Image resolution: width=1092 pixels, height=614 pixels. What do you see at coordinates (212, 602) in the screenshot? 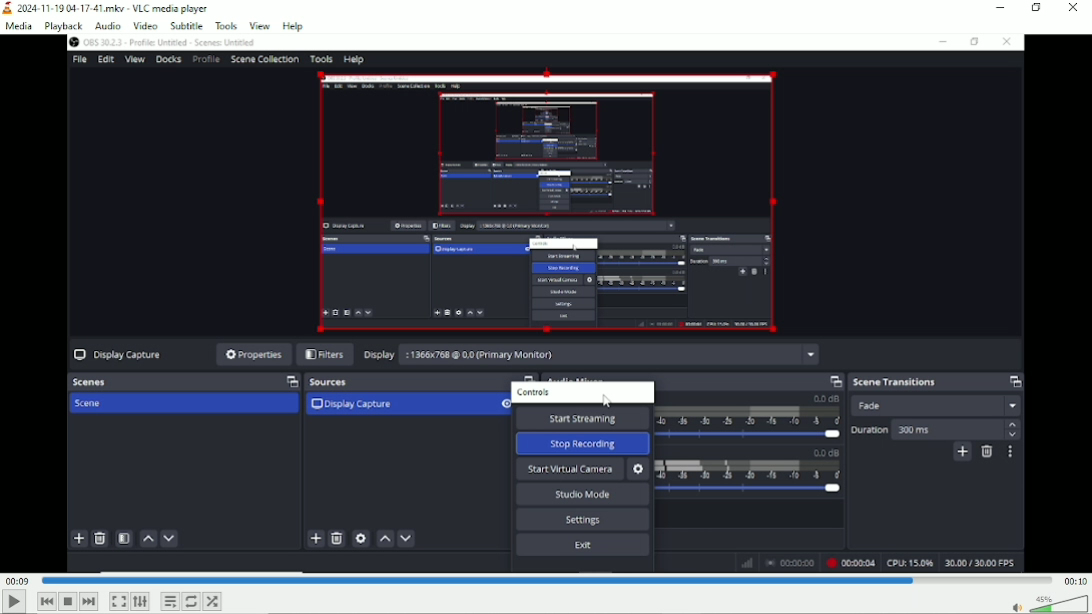
I see `random` at bounding box center [212, 602].